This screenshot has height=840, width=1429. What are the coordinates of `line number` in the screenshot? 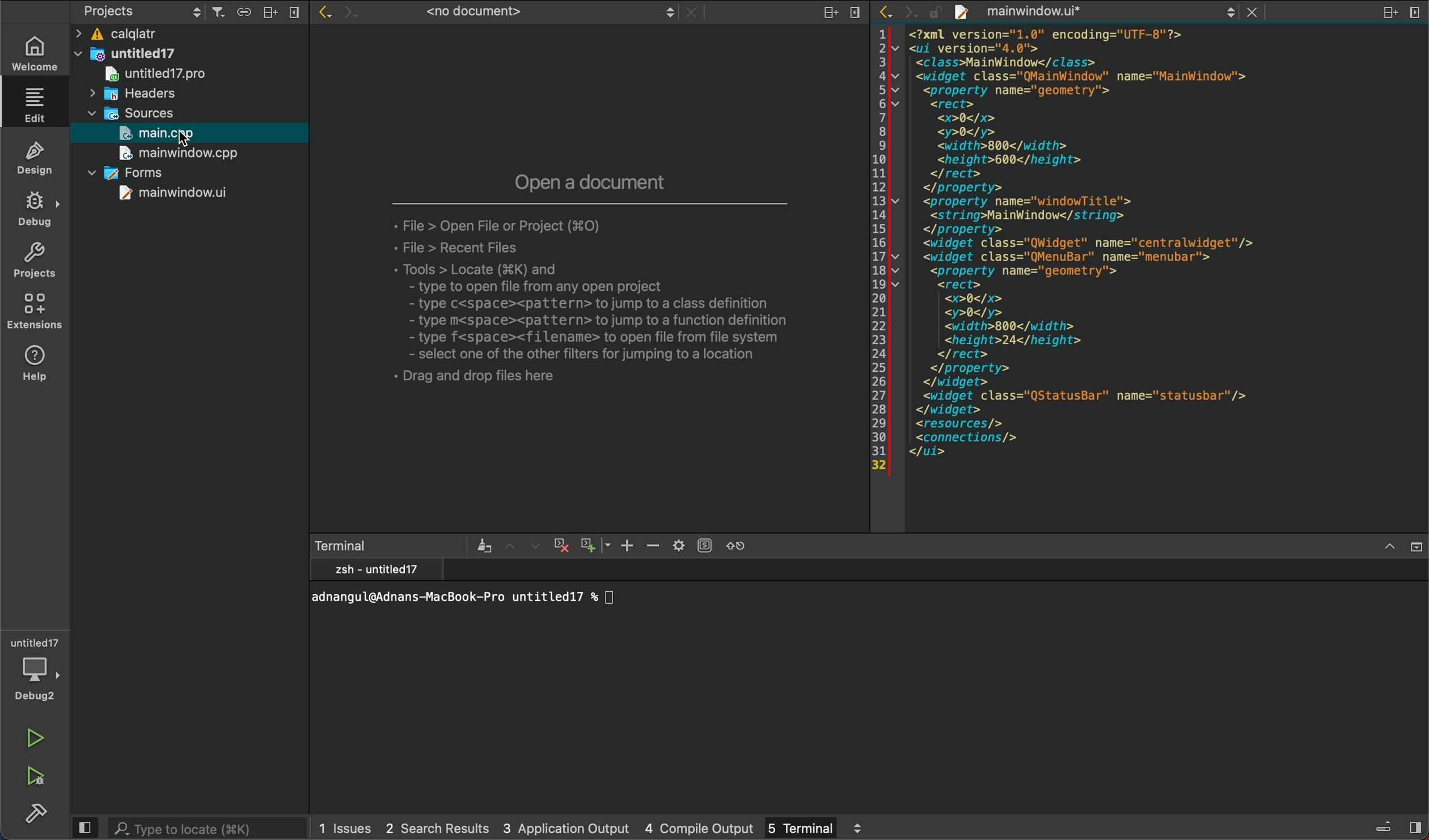 It's located at (885, 253).